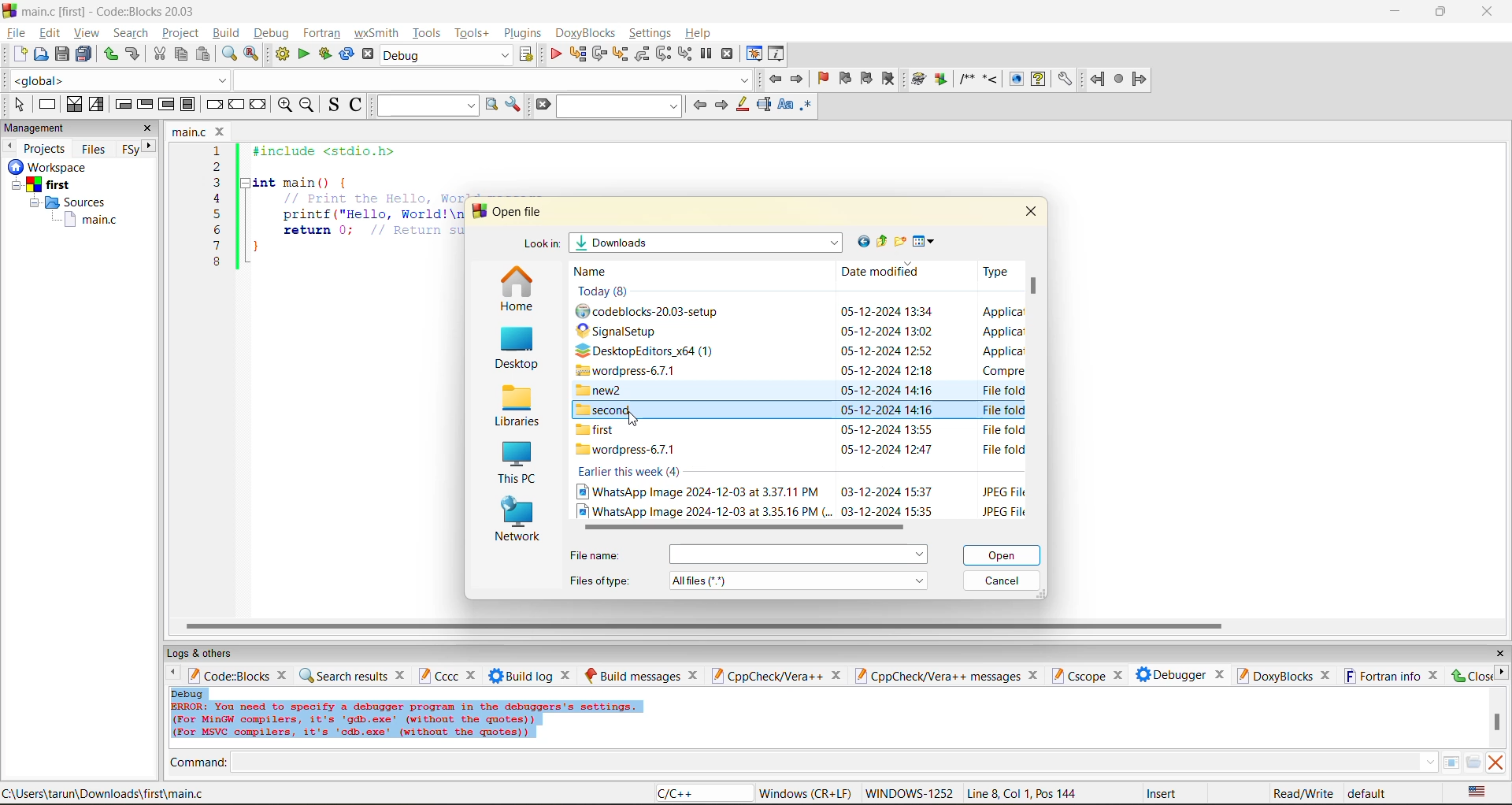 This screenshot has width=1512, height=805. Describe the element at coordinates (343, 675) in the screenshot. I see `search results` at that location.